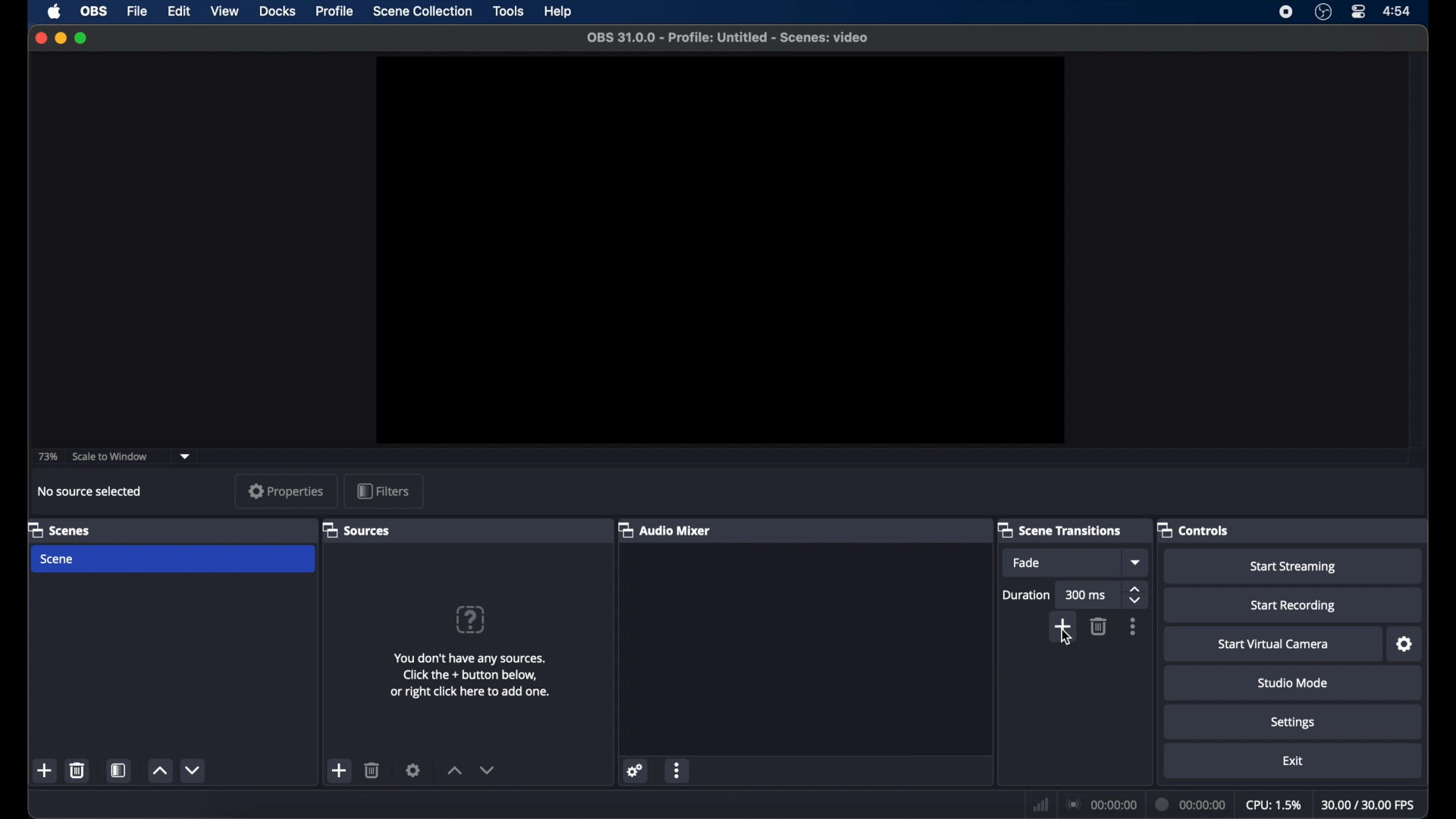  I want to click on scenes, so click(58, 529).